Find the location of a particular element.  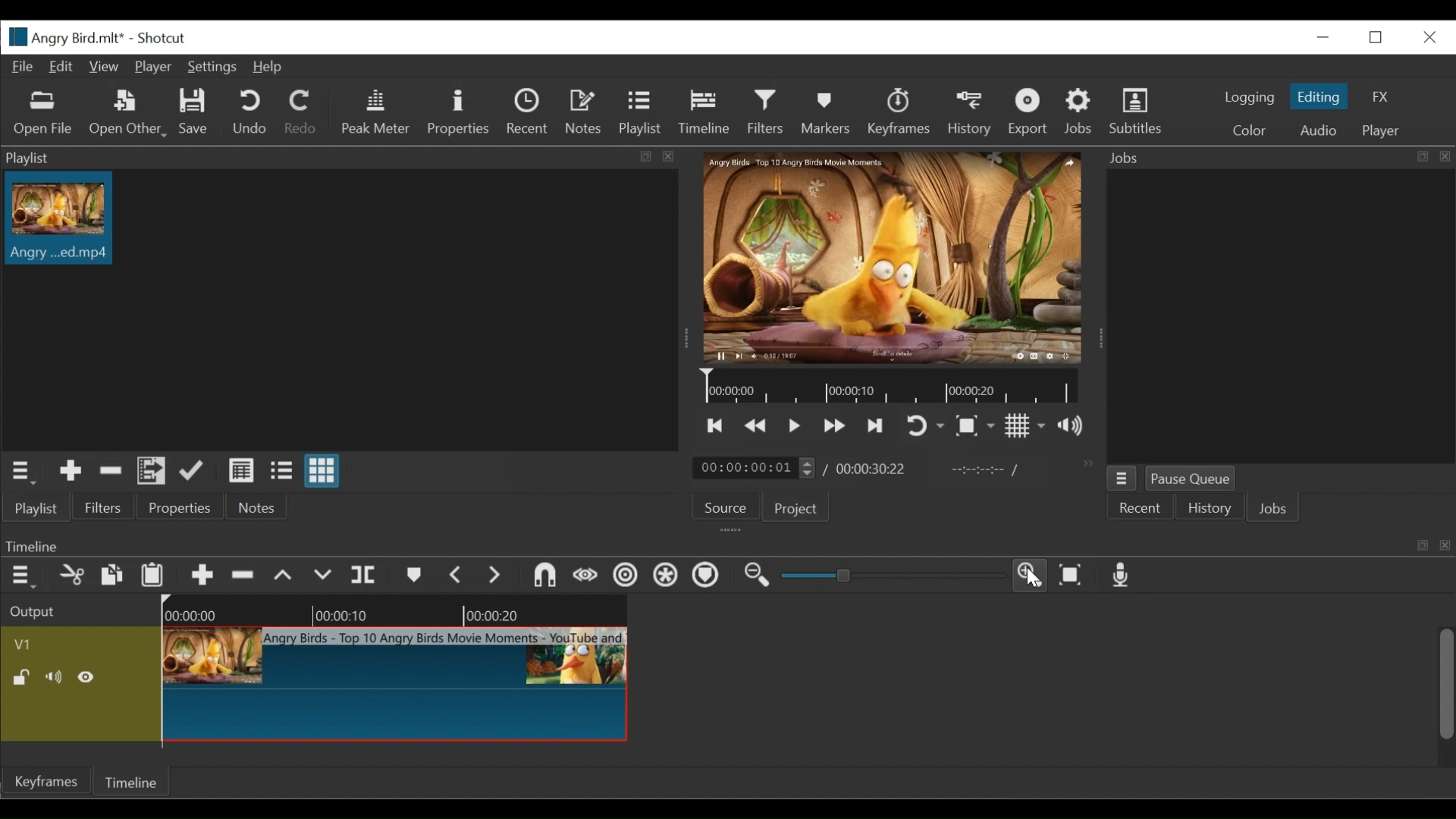

Project is located at coordinates (797, 510).